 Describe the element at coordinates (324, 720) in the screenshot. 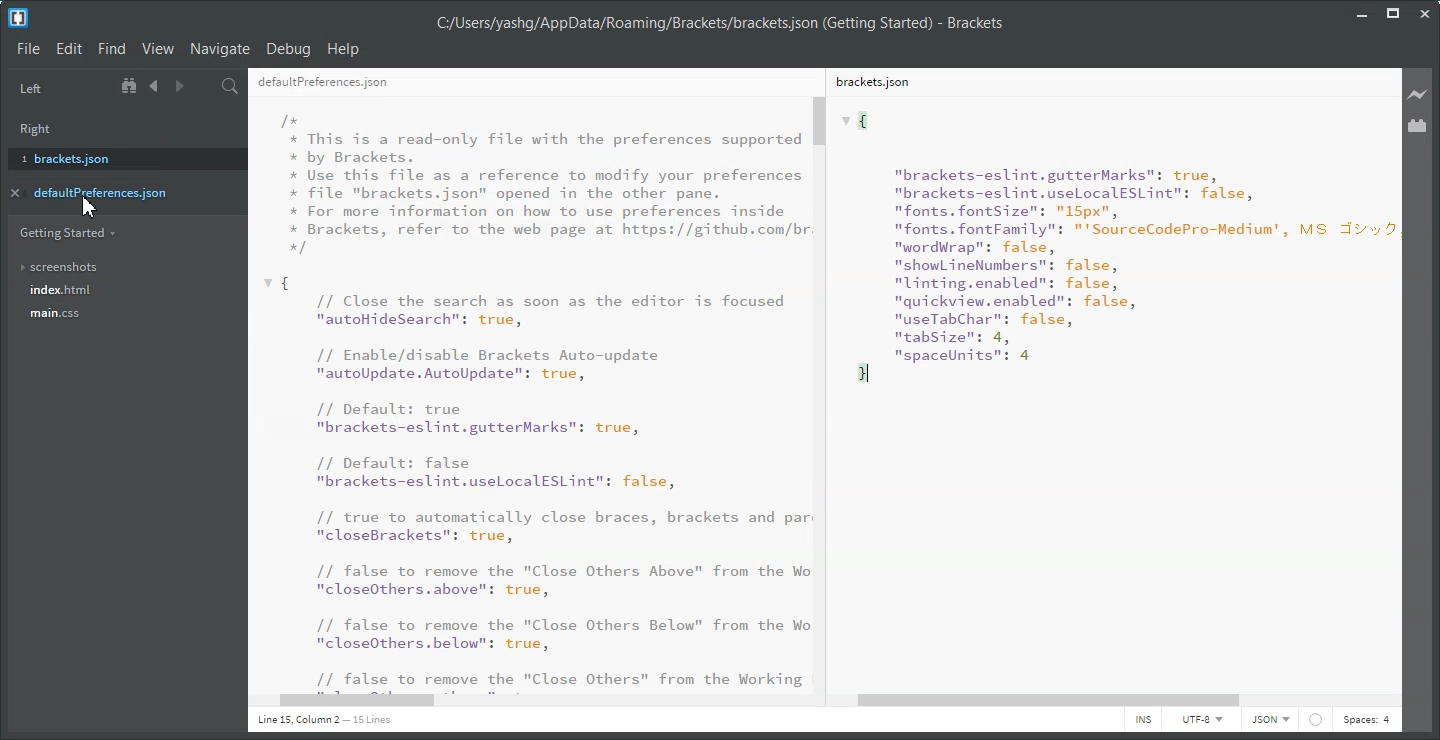

I see `Text` at that location.